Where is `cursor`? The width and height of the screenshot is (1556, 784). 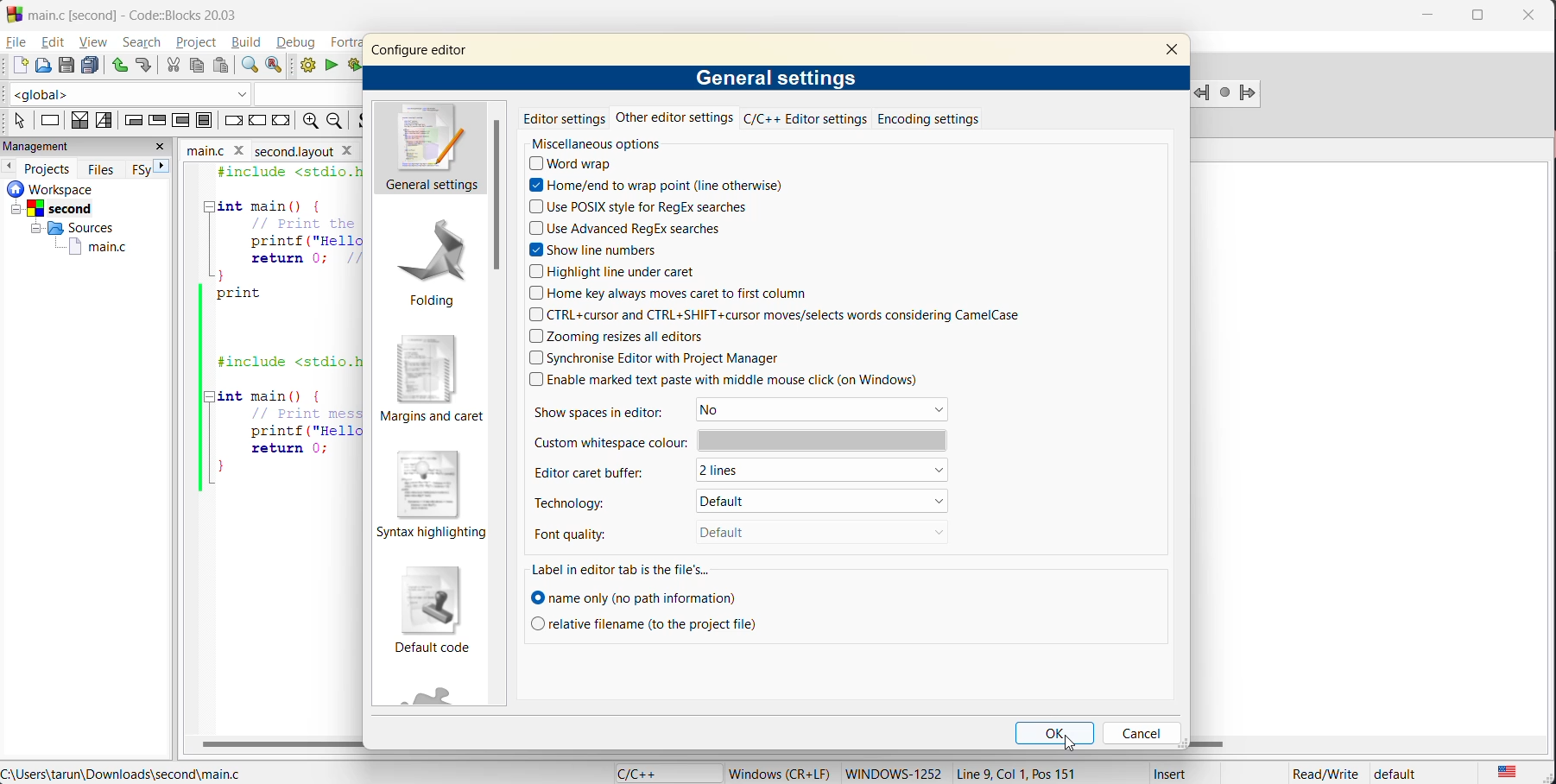 cursor is located at coordinates (1070, 743).